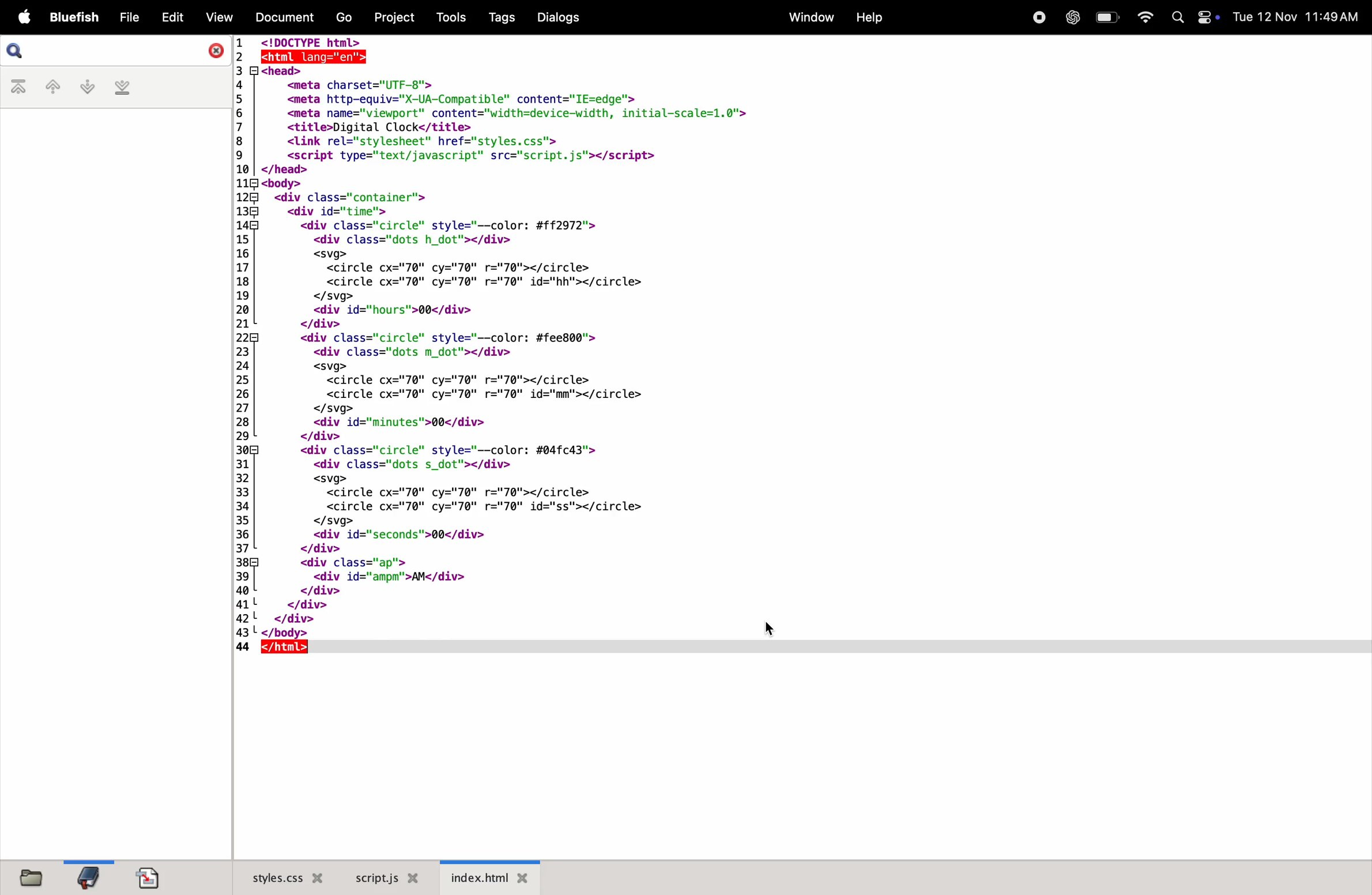  Describe the element at coordinates (20, 17) in the screenshot. I see `apple menu` at that location.